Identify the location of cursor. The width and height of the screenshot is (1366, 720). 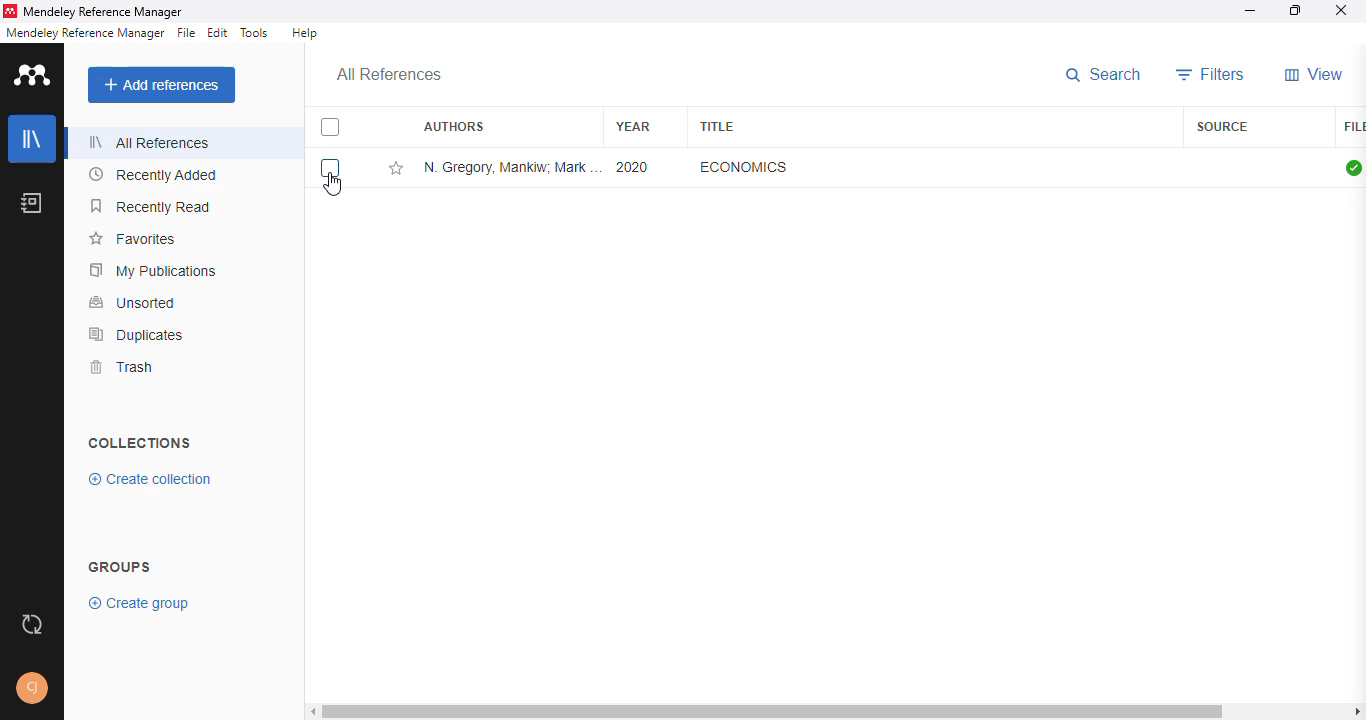
(333, 184).